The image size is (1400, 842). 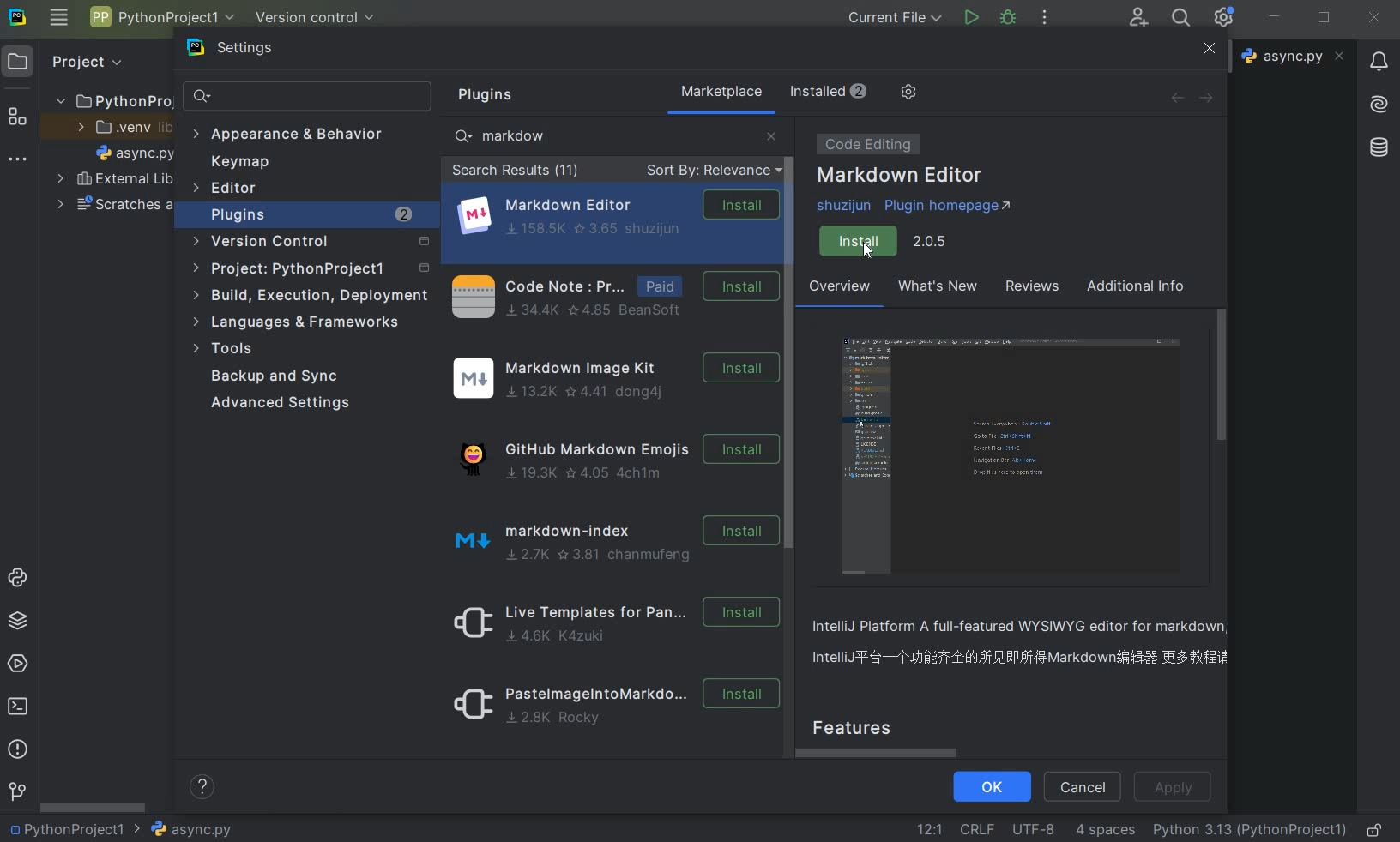 What do you see at coordinates (1379, 105) in the screenshot?
I see `AI Assistant` at bounding box center [1379, 105].